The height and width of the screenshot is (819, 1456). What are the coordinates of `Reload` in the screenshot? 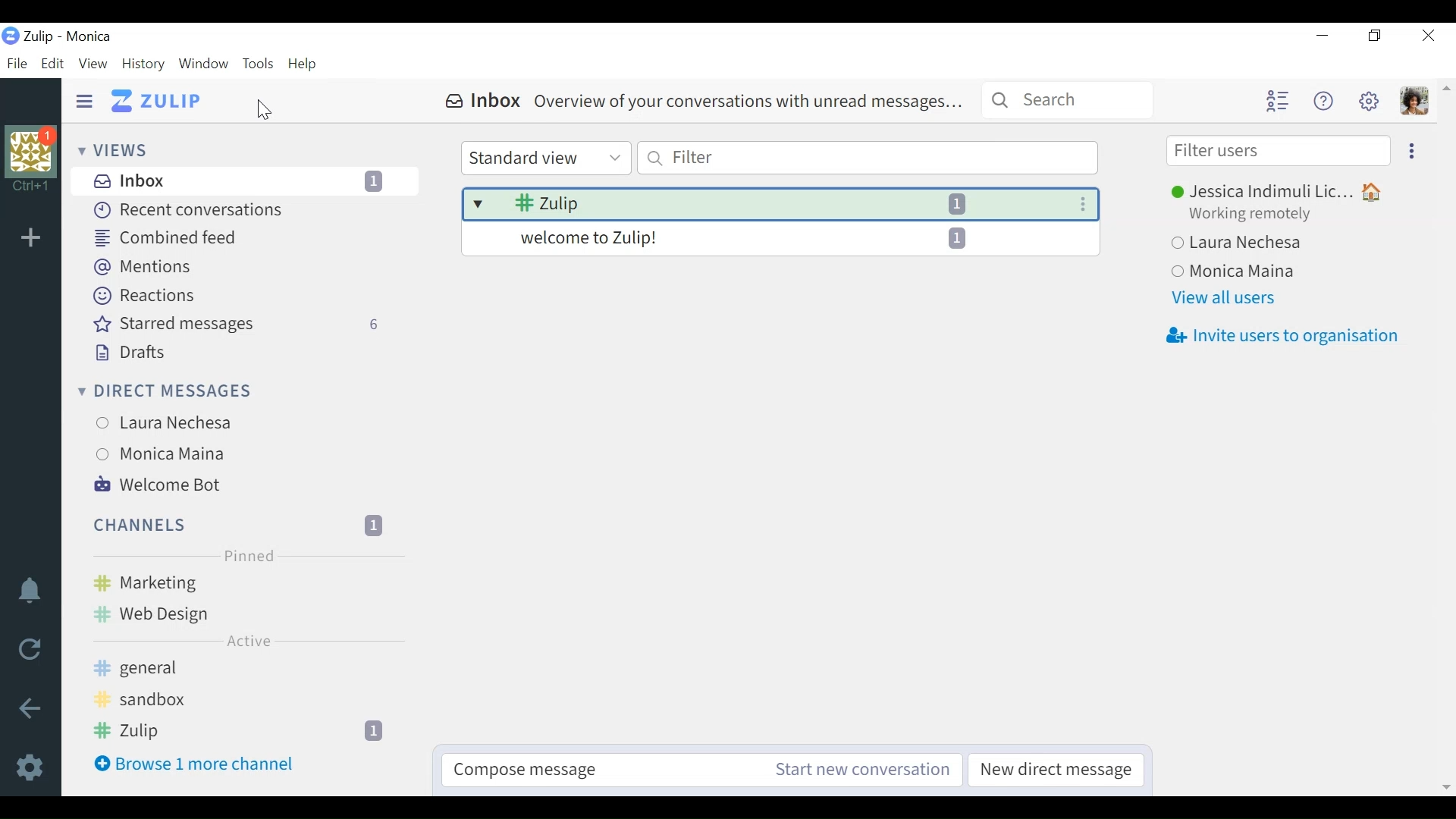 It's located at (28, 646).